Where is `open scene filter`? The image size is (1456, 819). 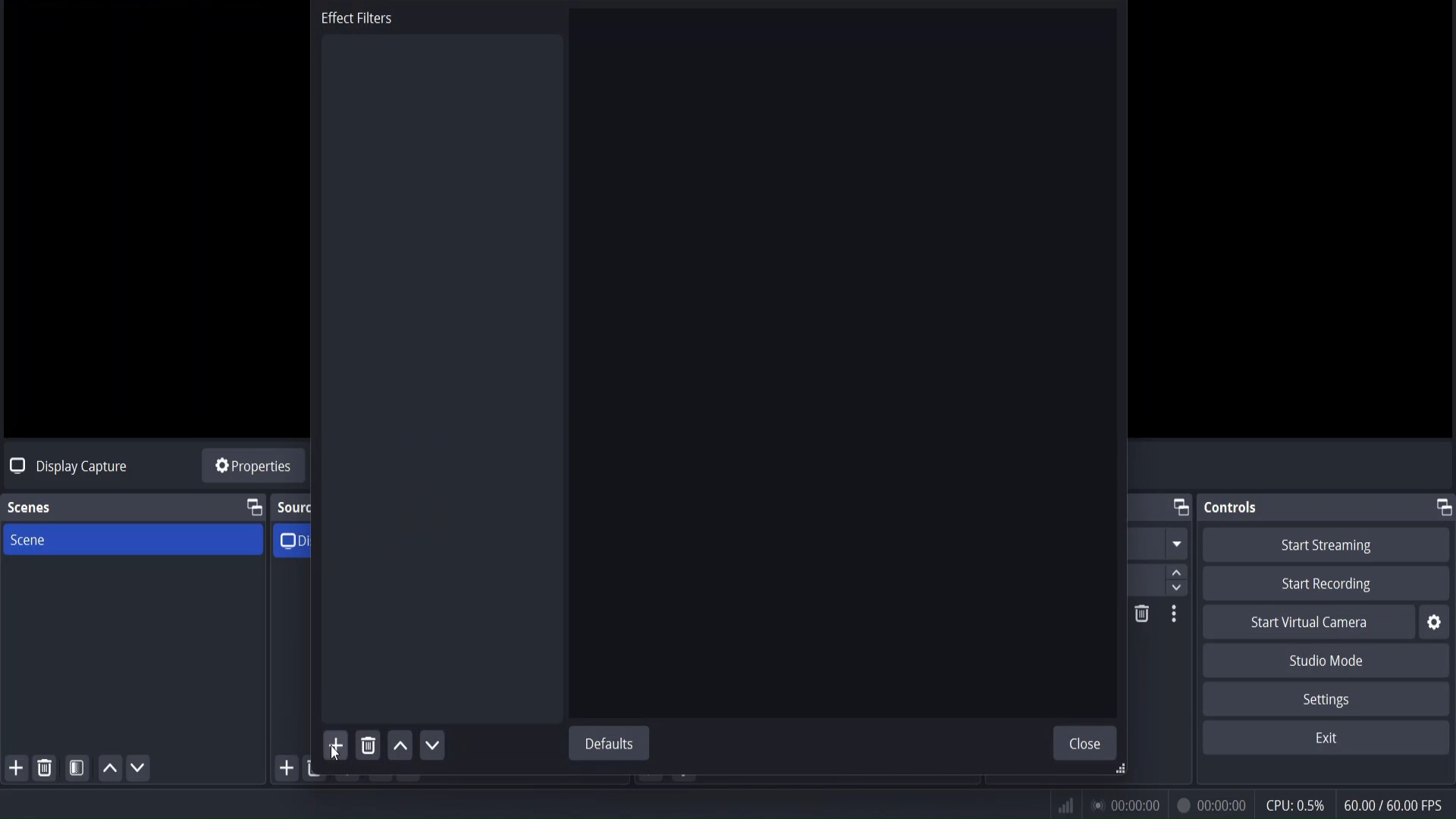 open scene filter is located at coordinates (78, 770).